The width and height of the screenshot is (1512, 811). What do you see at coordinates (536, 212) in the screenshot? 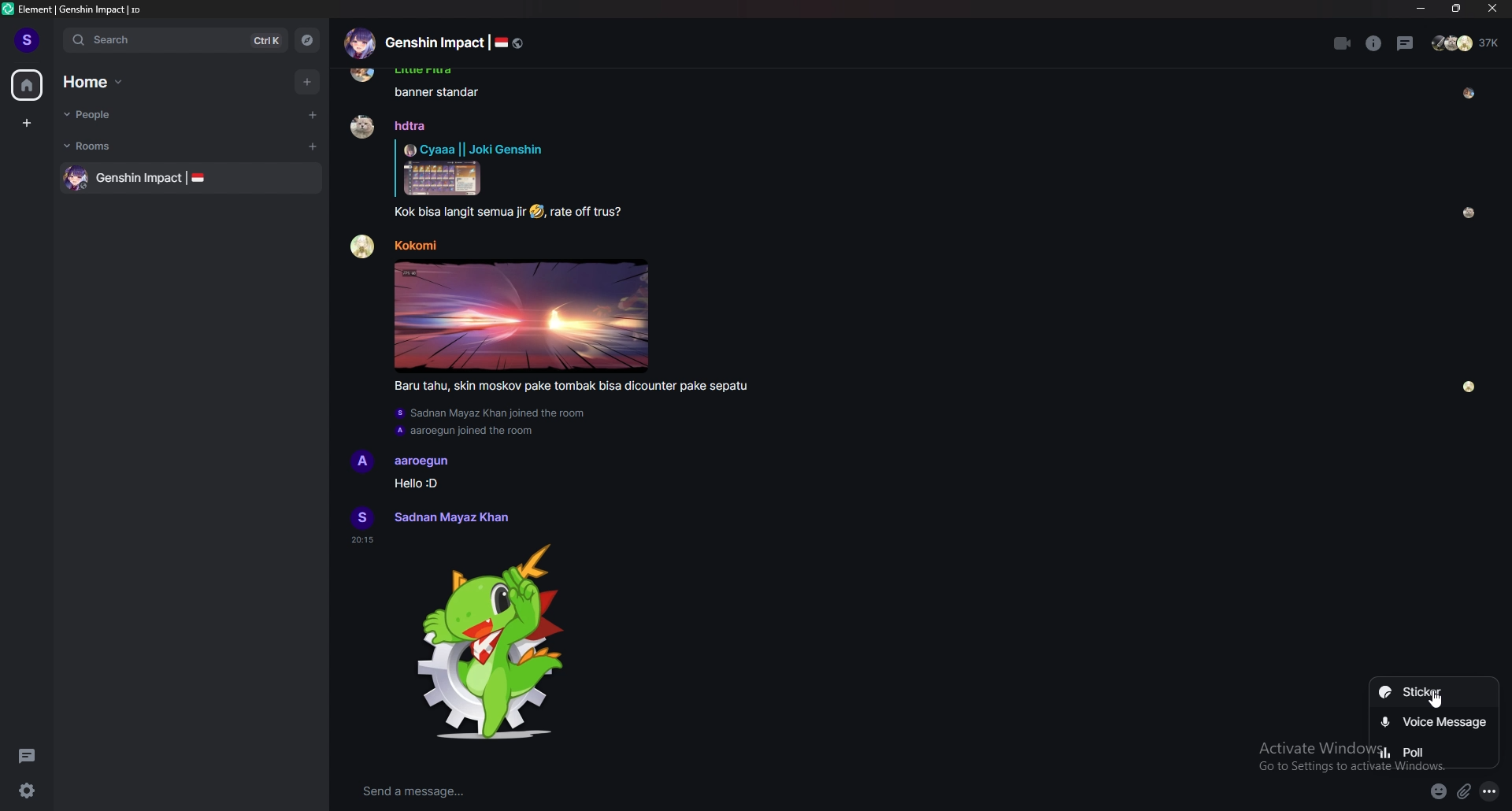
I see `Emoji` at bounding box center [536, 212].